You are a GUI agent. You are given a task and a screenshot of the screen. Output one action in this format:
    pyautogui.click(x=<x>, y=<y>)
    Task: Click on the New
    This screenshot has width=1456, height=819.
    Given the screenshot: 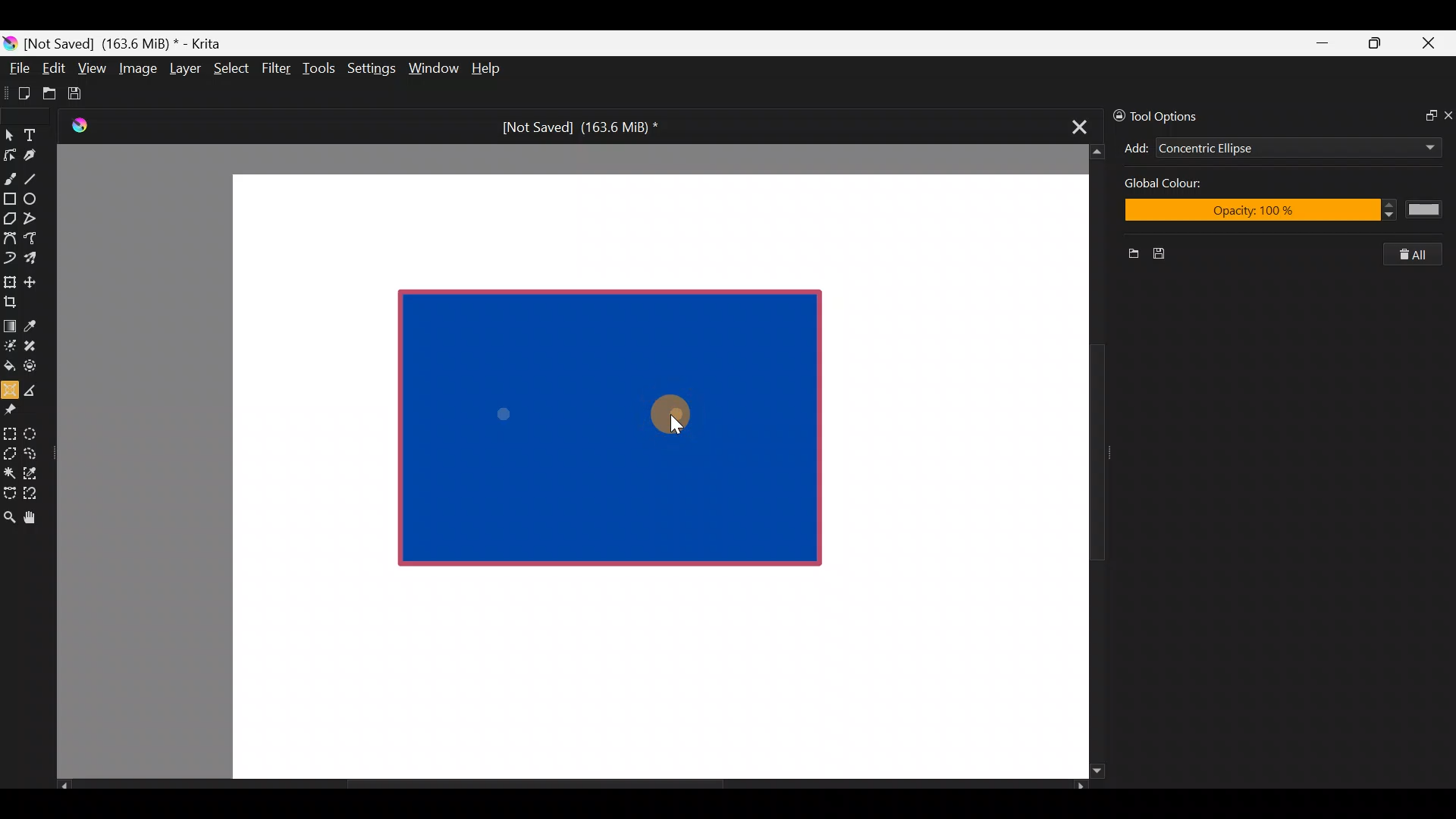 What is the action you would take?
    pyautogui.click(x=1128, y=256)
    